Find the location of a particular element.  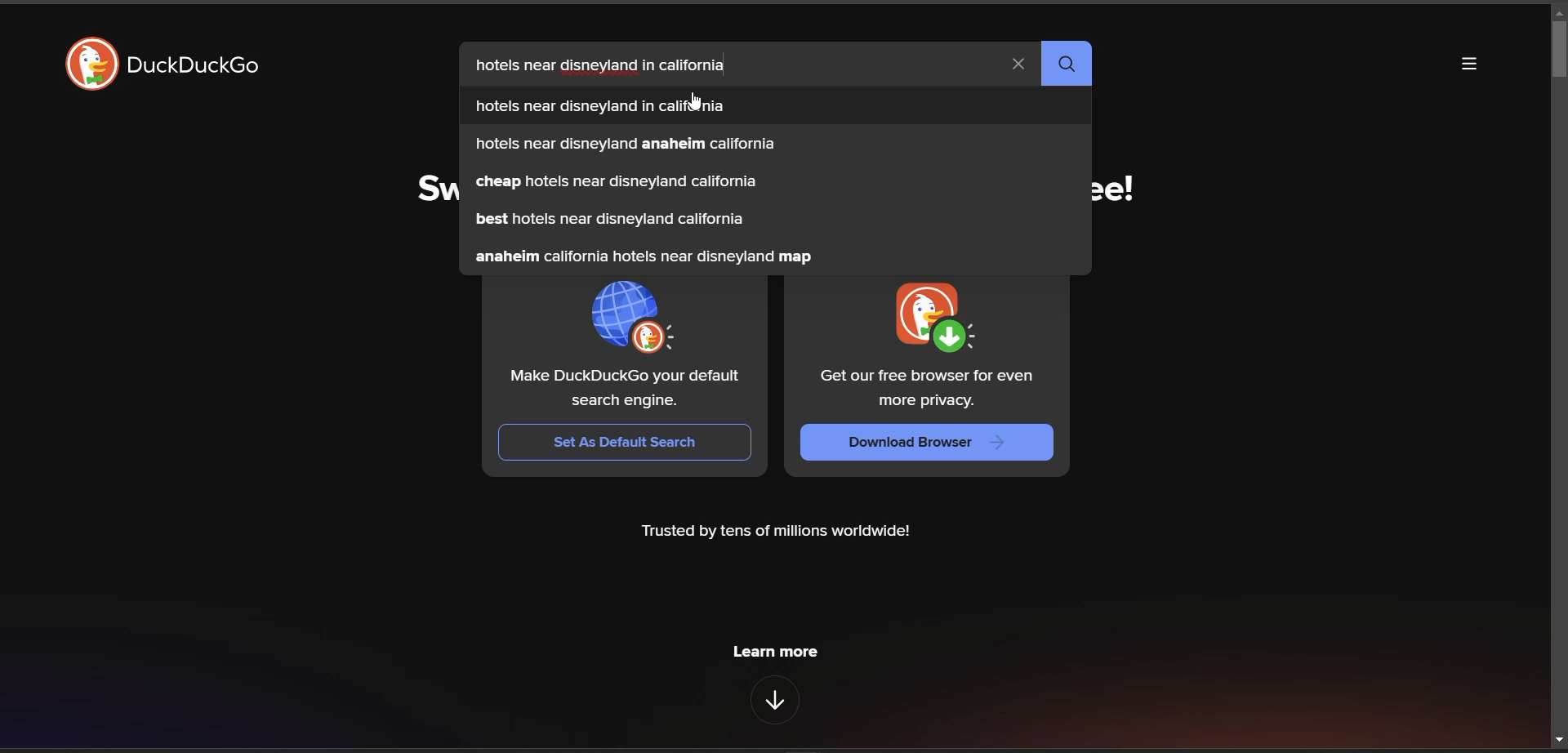

downarrow button is located at coordinates (776, 700).